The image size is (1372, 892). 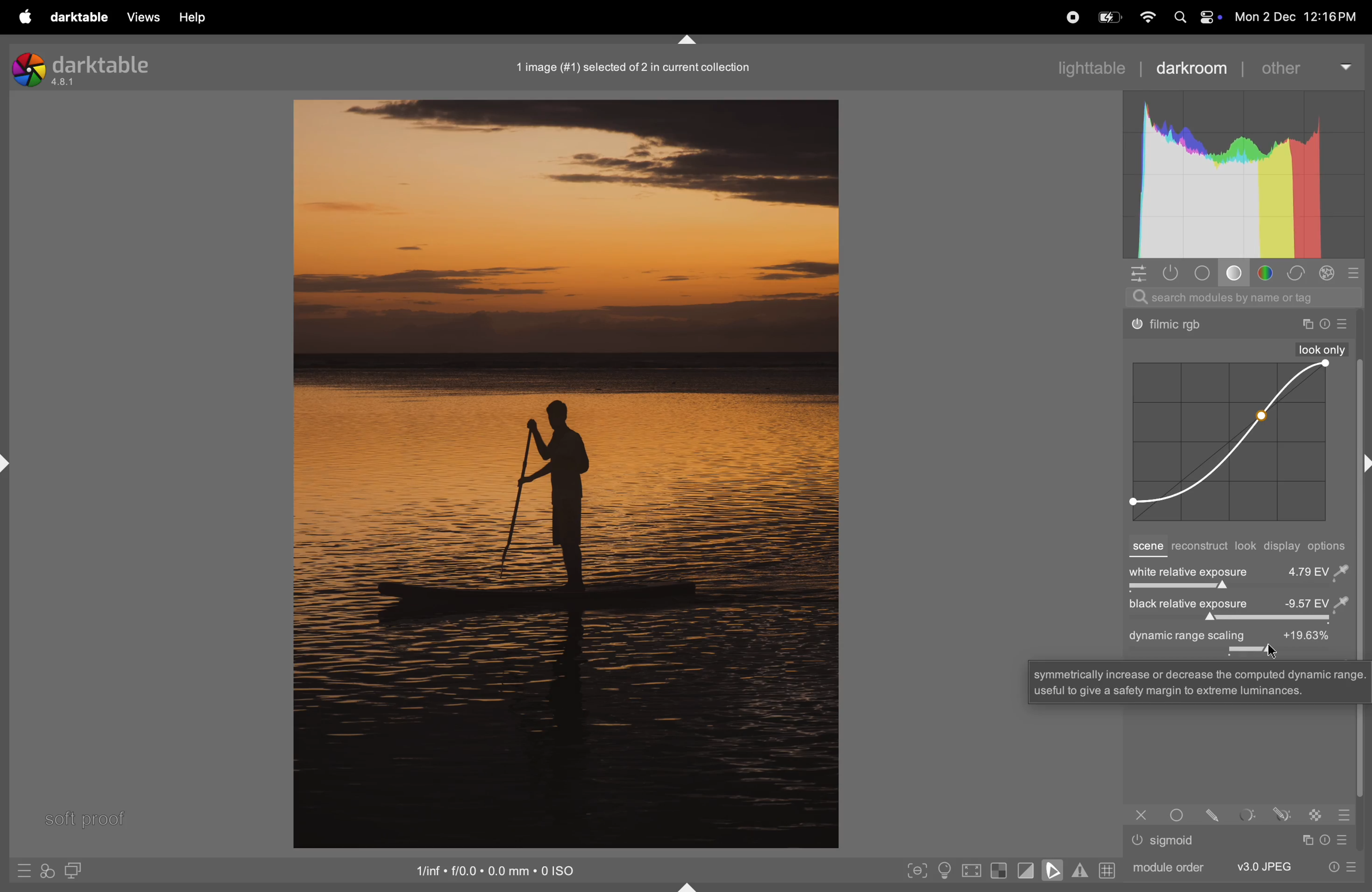 What do you see at coordinates (948, 871) in the screenshot?
I see `toggle iso` at bounding box center [948, 871].